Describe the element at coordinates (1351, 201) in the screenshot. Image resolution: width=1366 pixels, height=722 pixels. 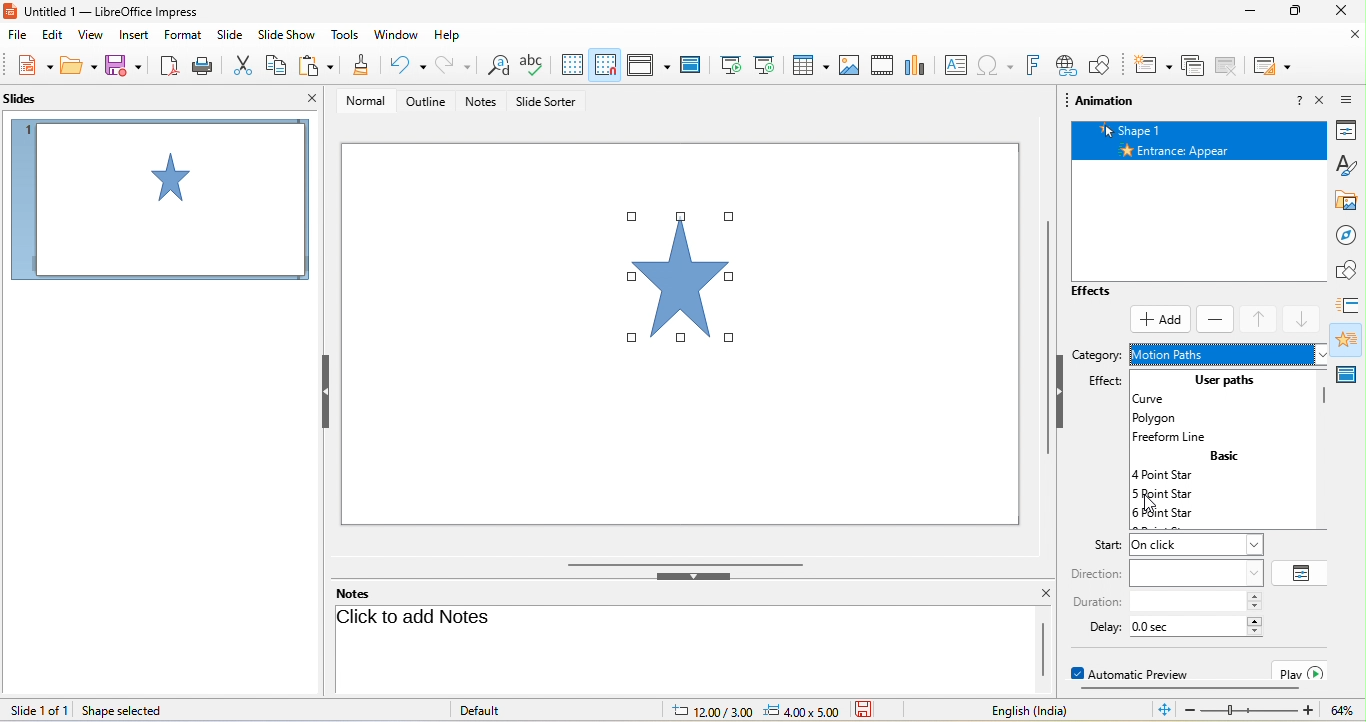
I see `gallery` at that location.